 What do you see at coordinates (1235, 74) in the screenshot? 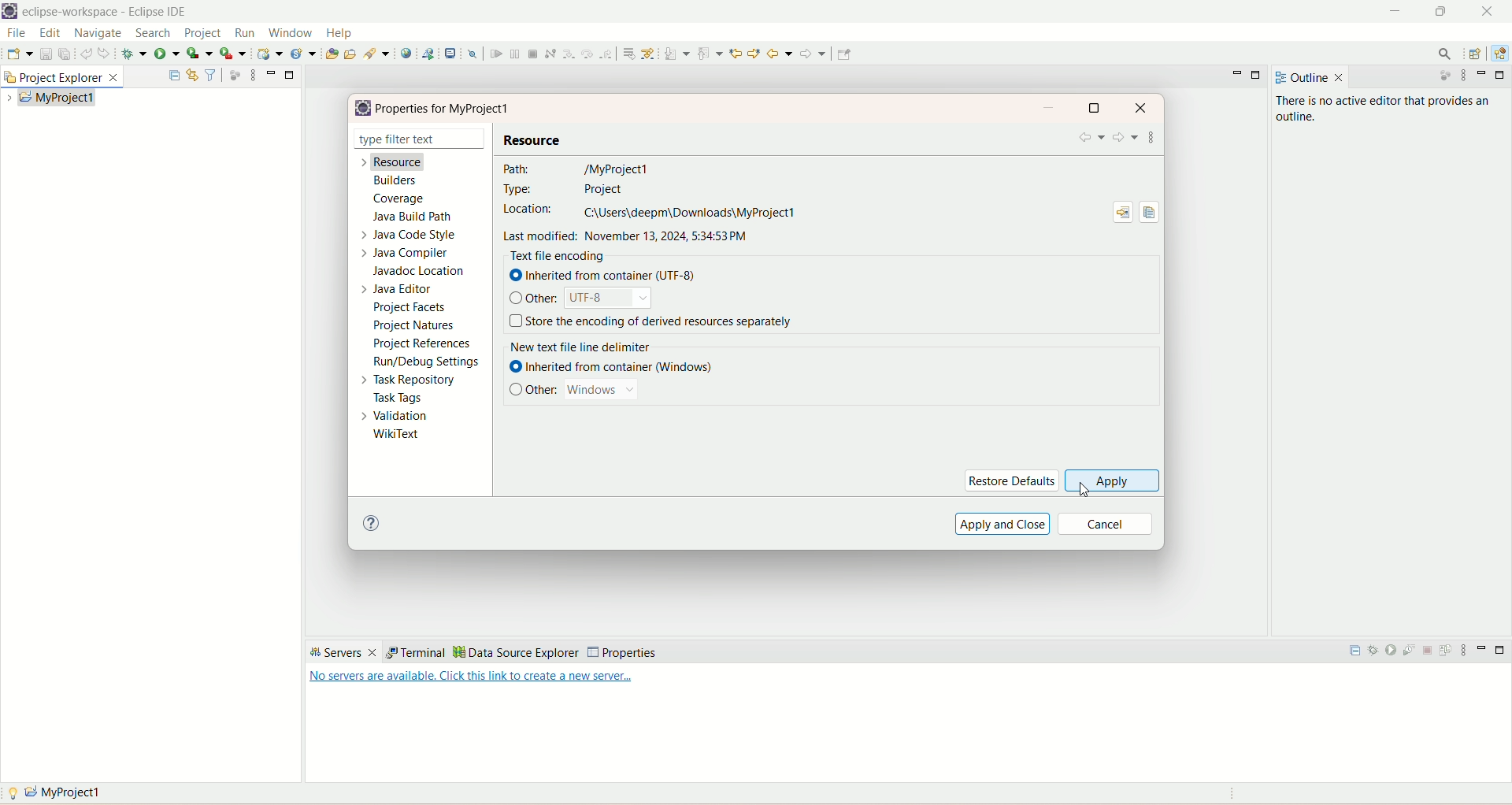
I see `minimize` at bounding box center [1235, 74].